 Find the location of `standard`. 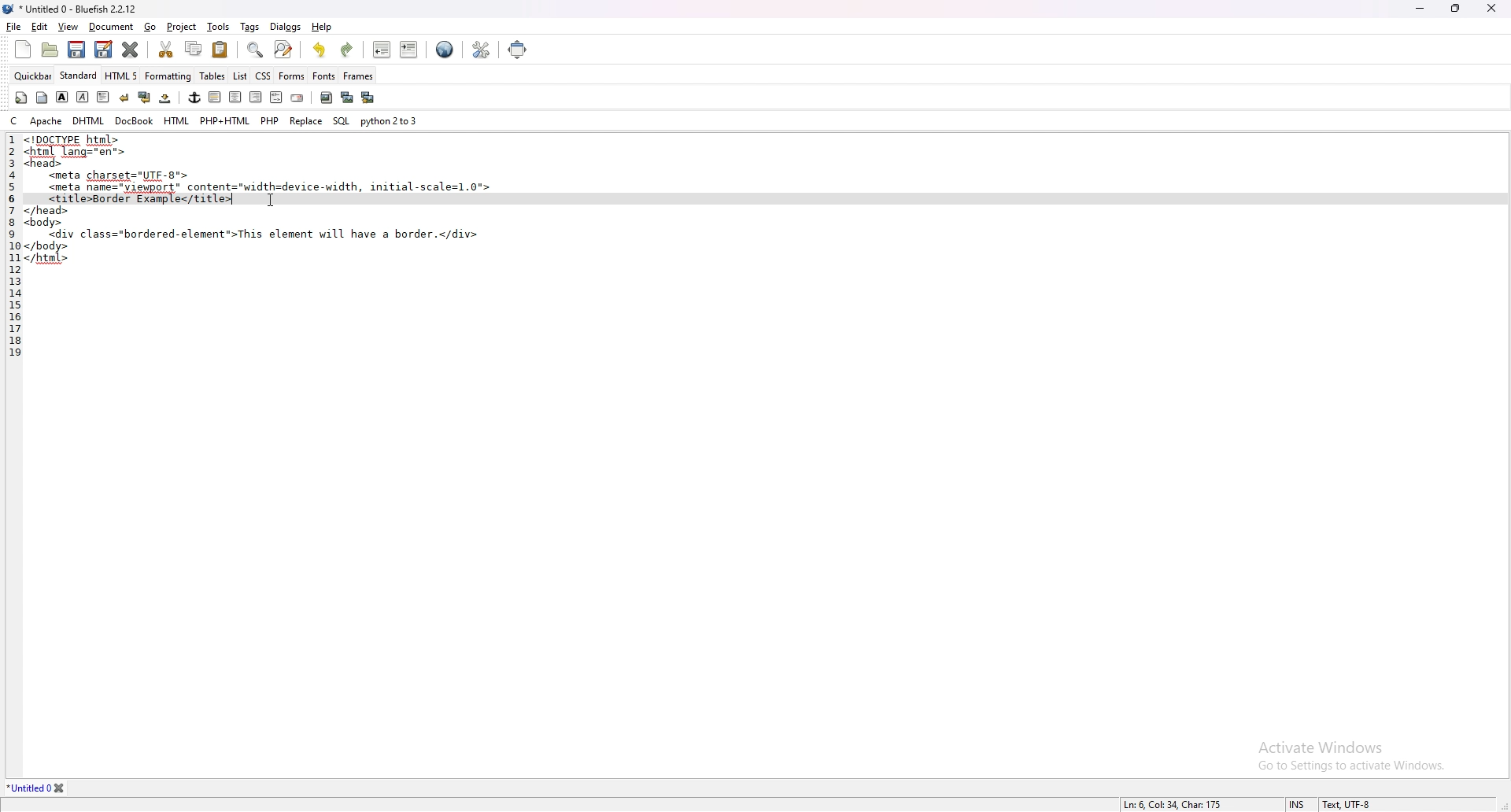

standard is located at coordinates (79, 75).